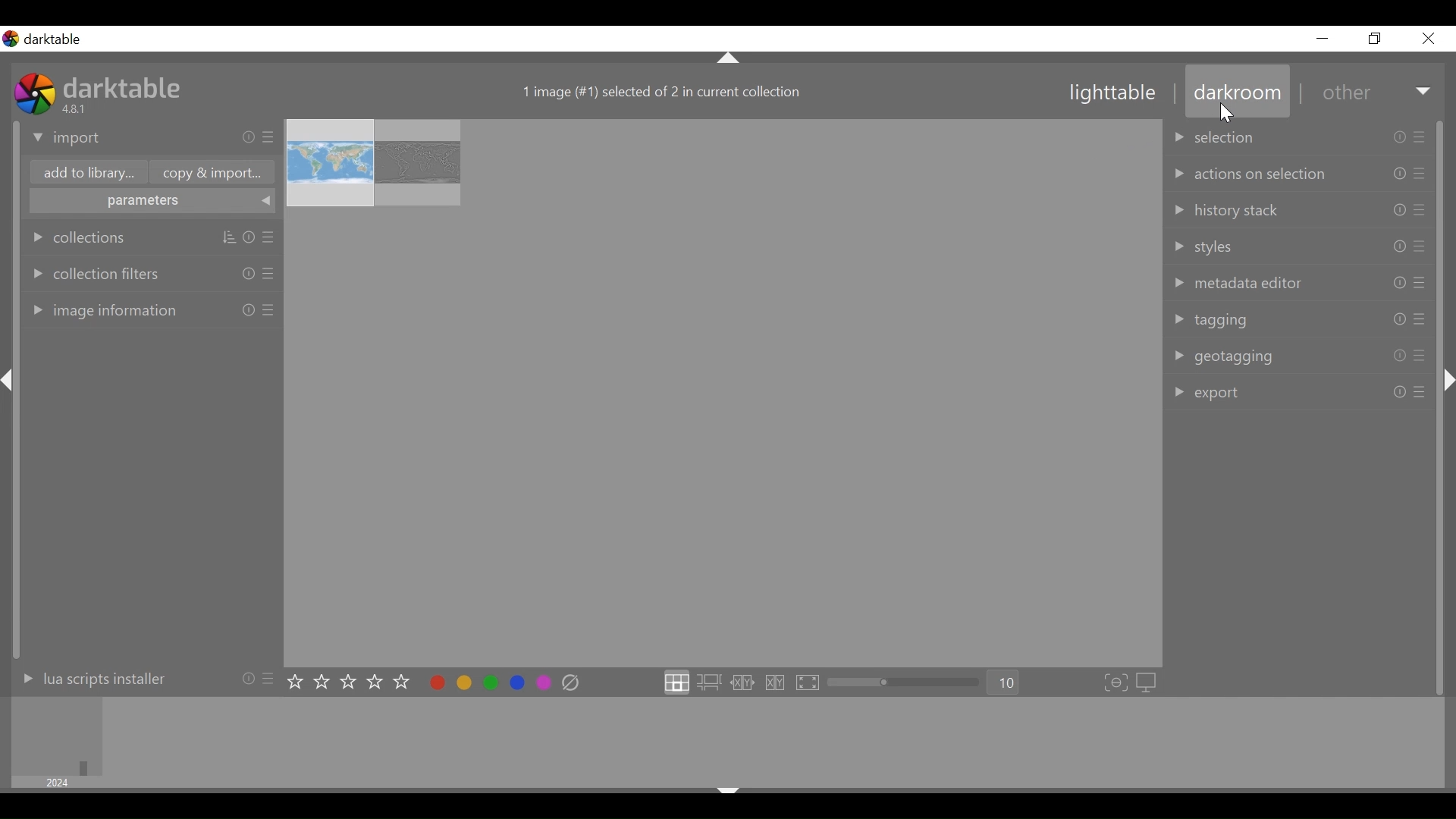  I want to click on Cursor, so click(1229, 115).